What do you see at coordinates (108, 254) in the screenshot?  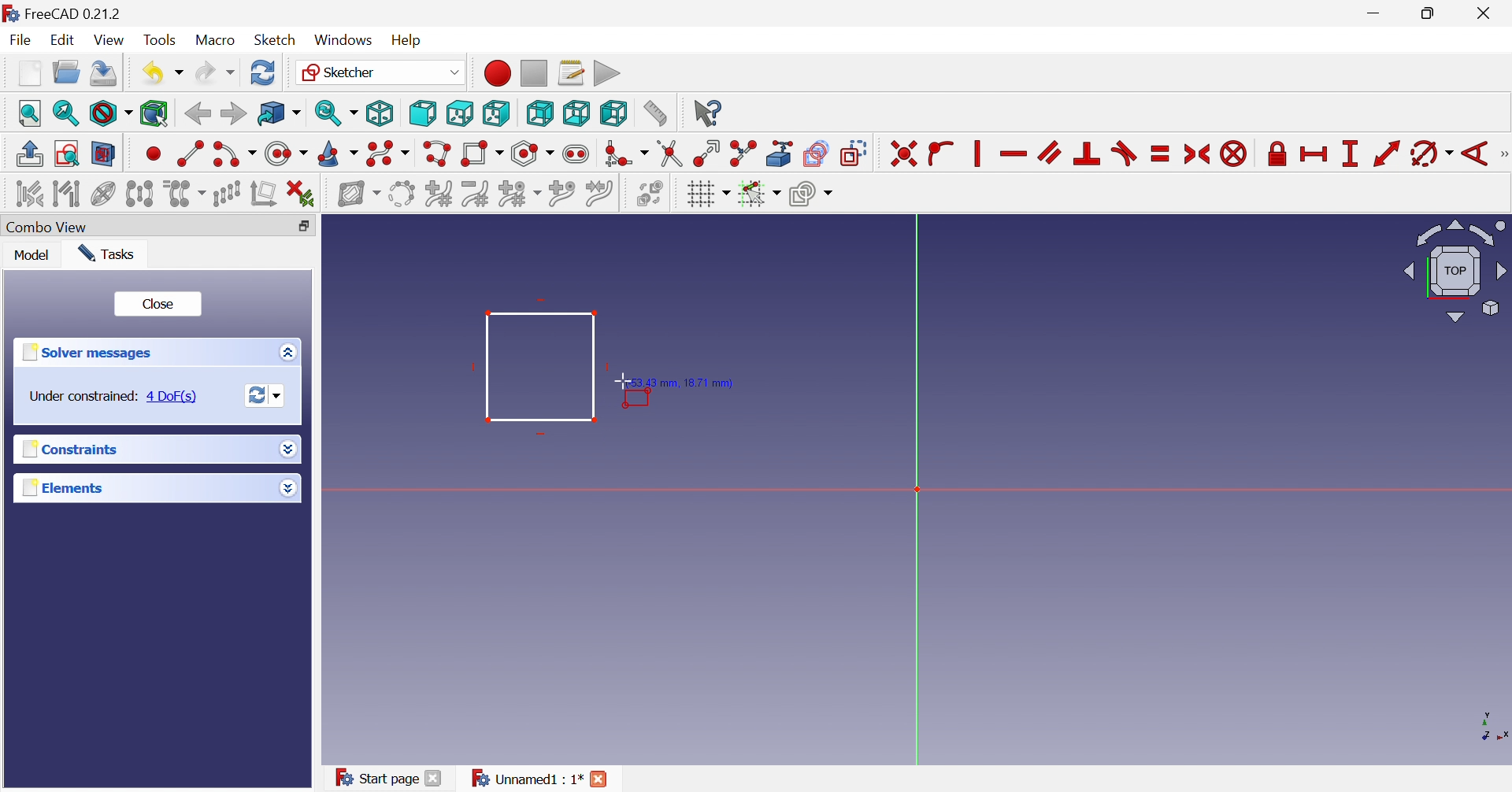 I see `Tasks` at bounding box center [108, 254].